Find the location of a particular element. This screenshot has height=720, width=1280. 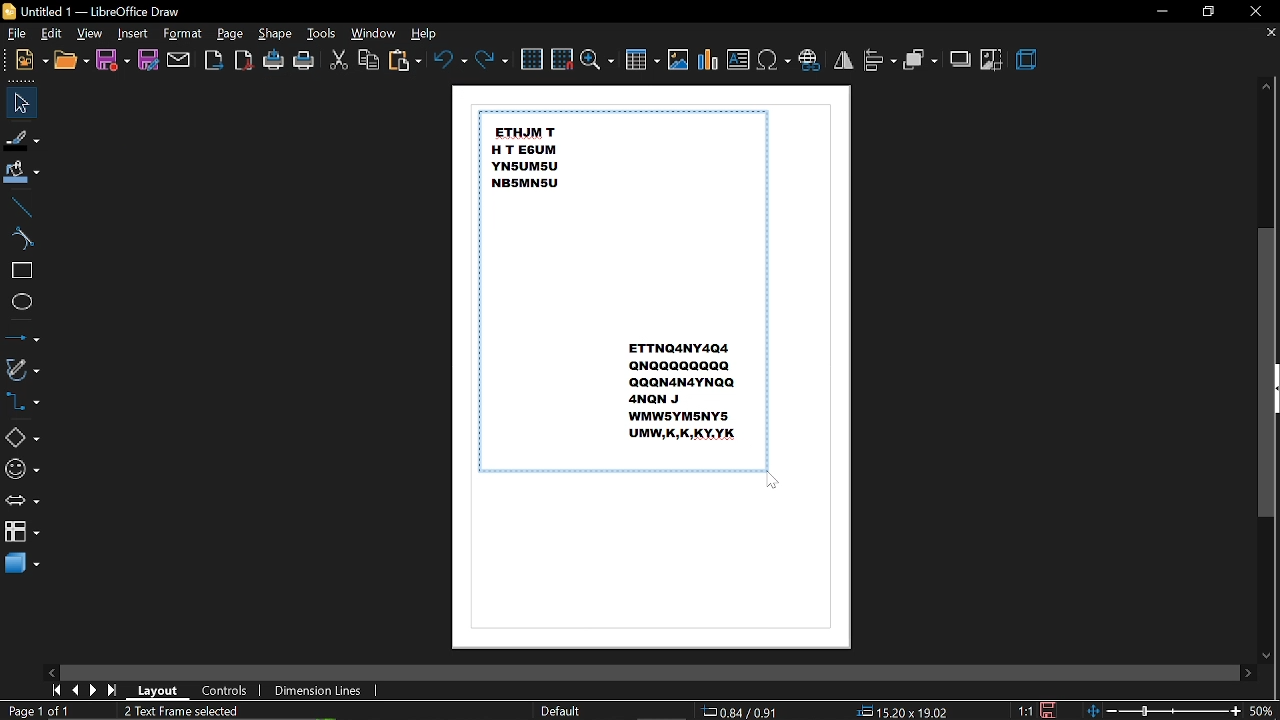

arrows is located at coordinates (22, 502).